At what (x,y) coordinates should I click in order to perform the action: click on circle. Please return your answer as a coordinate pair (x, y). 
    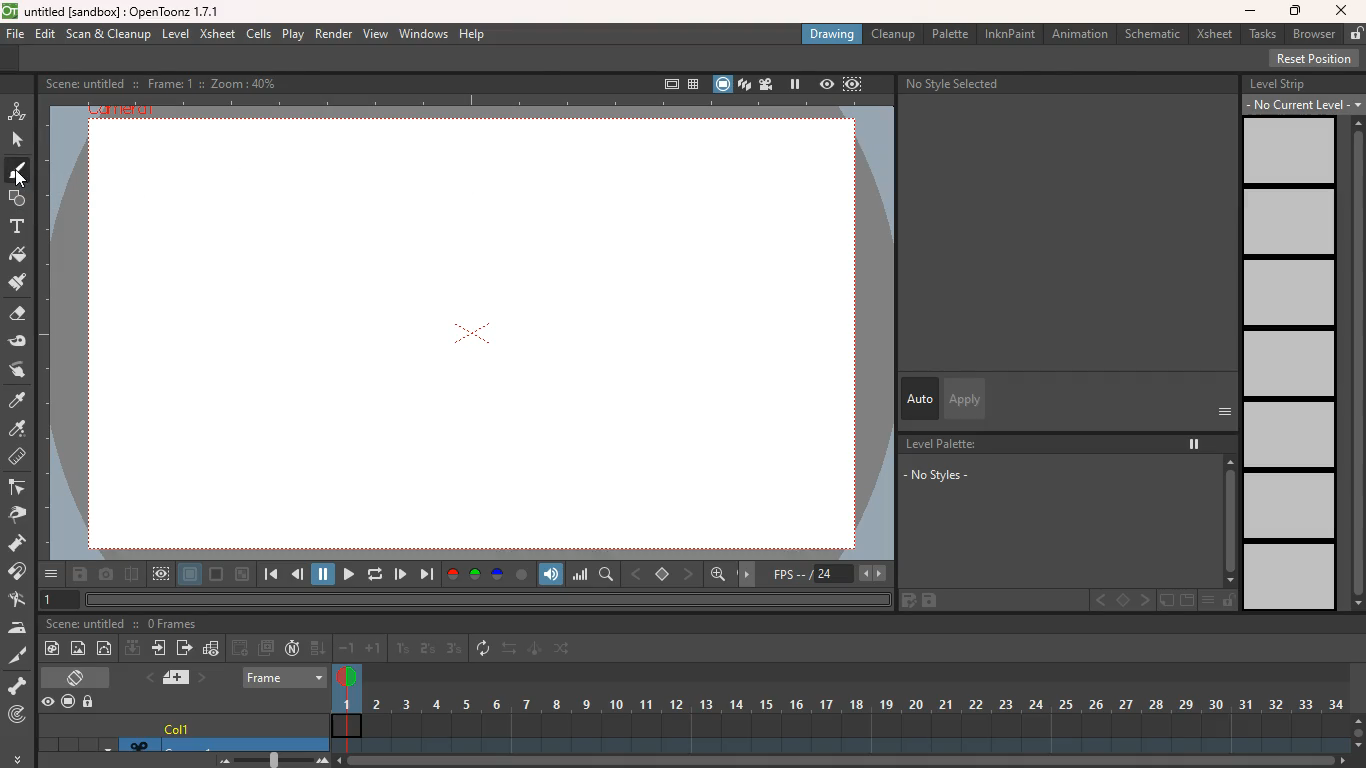
    Looking at the image, I should click on (522, 574).